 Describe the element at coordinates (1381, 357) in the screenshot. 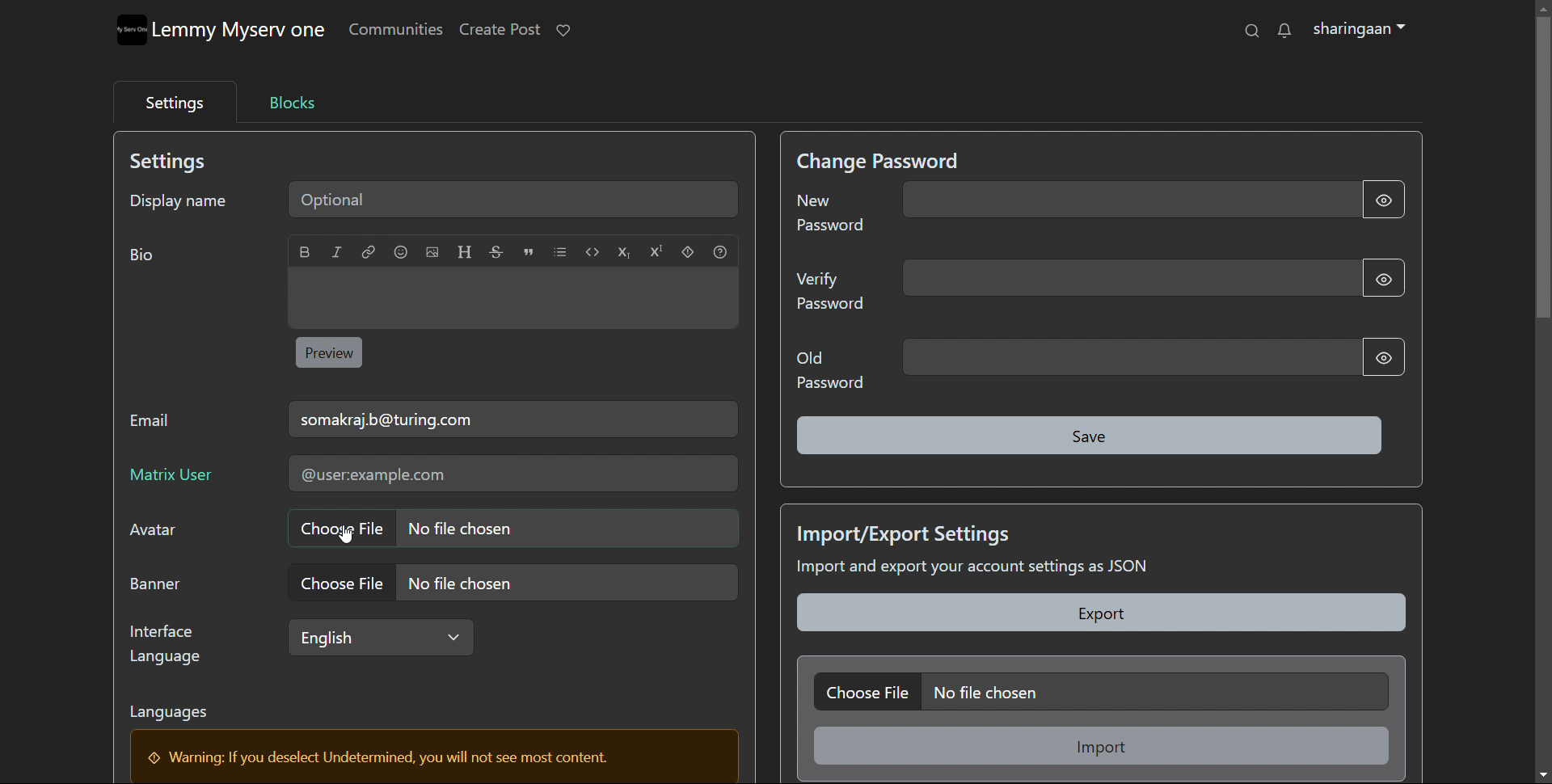

I see `toggle visibility` at that location.